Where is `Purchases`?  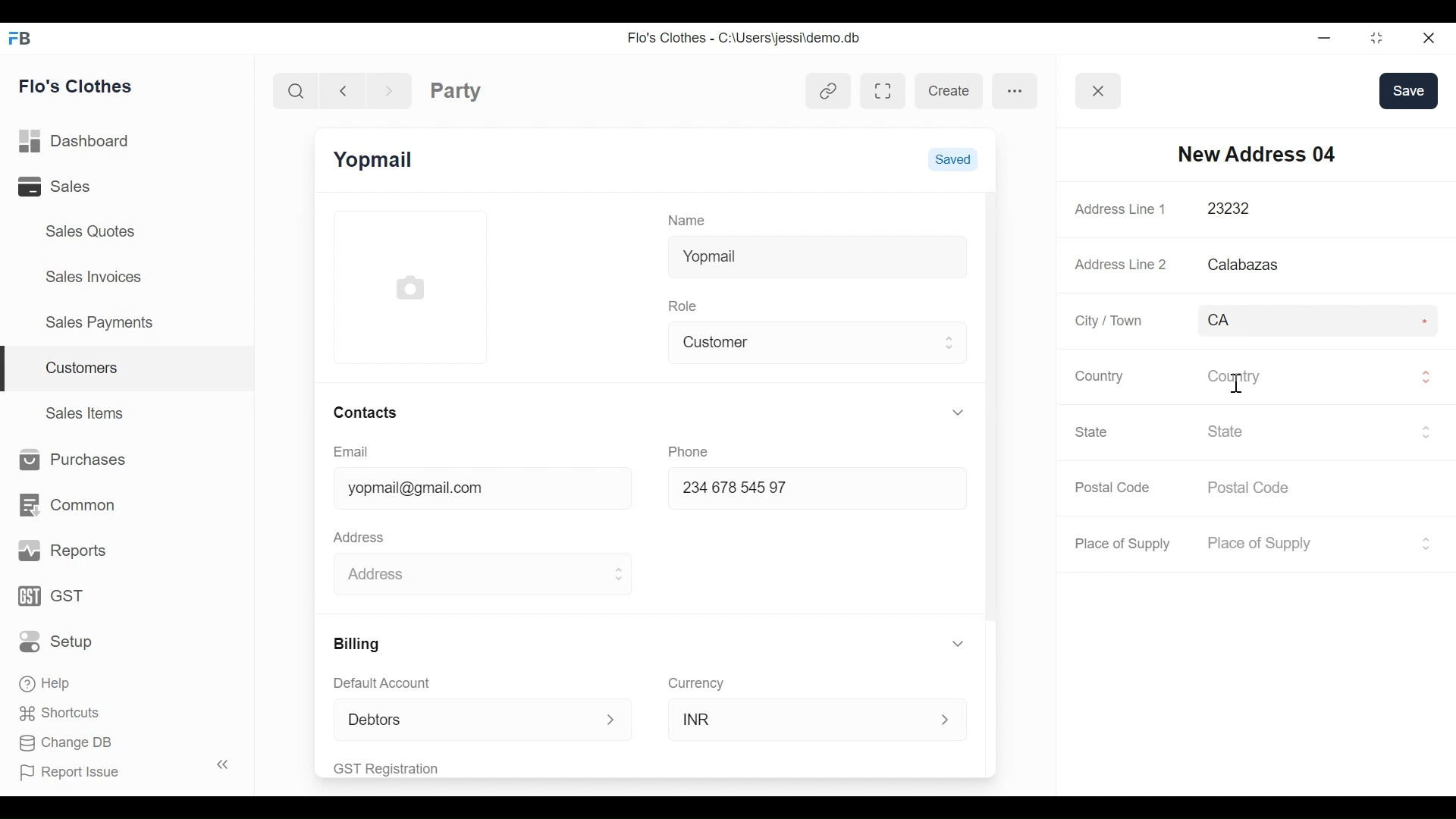 Purchases is located at coordinates (68, 460).